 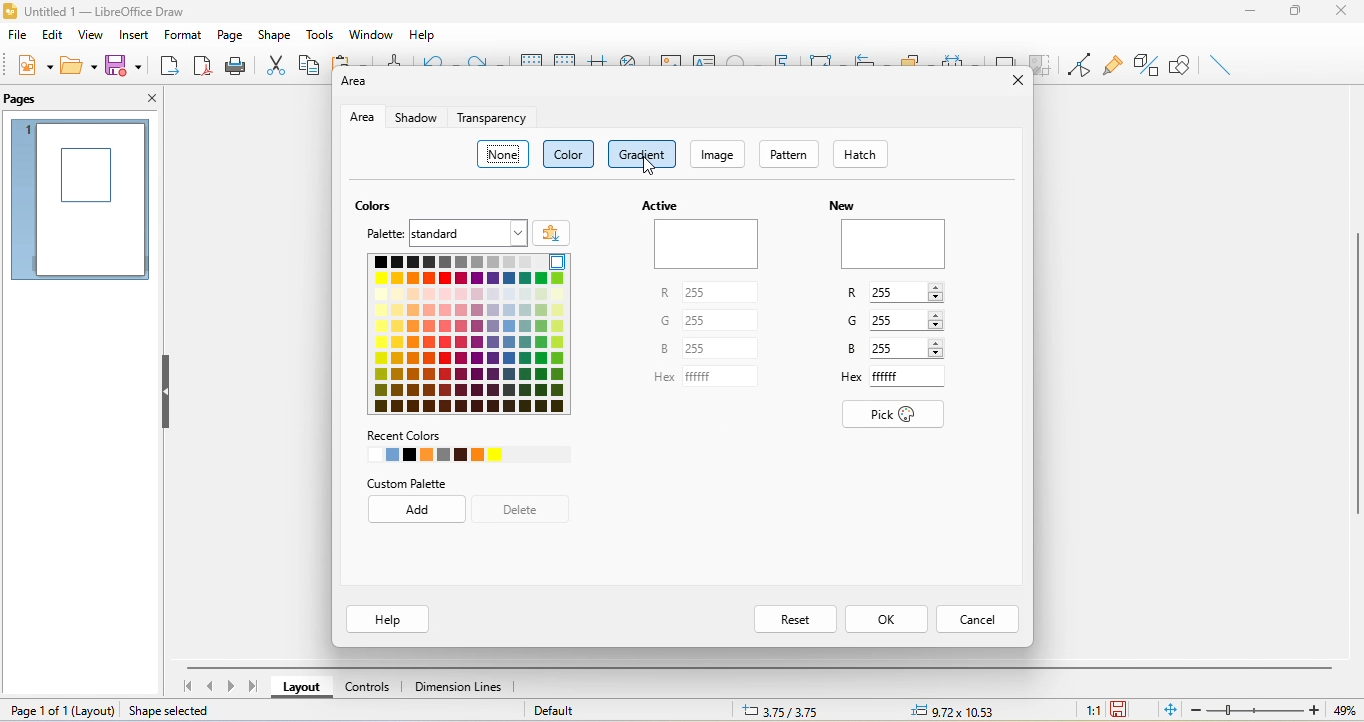 What do you see at coordinates (573, 710) in the screenshot?
I see `default` at bounding box center [573, 710].